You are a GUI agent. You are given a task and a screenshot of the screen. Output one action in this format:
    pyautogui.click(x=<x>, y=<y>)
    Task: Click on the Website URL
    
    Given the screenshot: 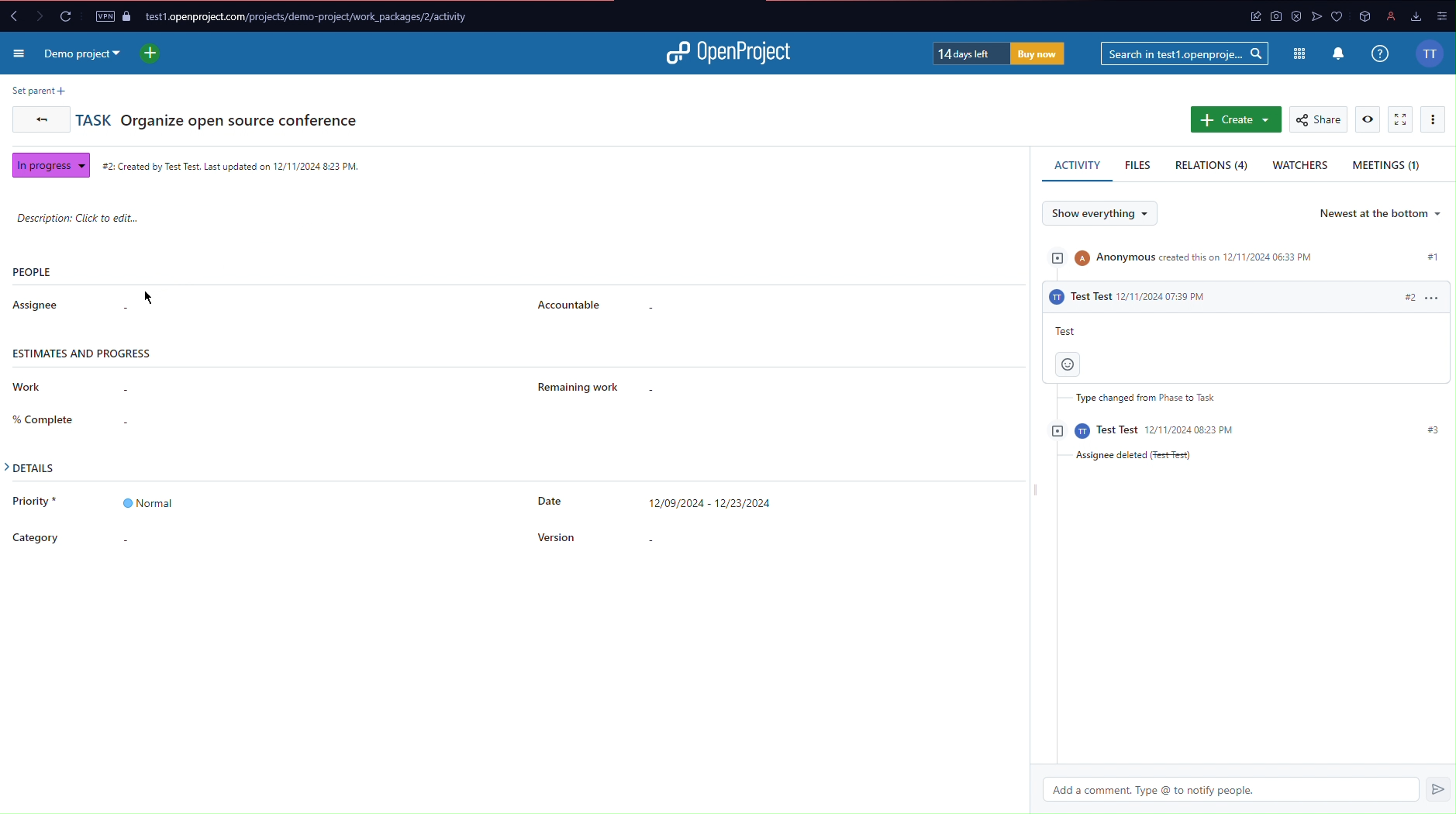 What is the action you would take?
    pyautogui.click(x=314, y=18)
    